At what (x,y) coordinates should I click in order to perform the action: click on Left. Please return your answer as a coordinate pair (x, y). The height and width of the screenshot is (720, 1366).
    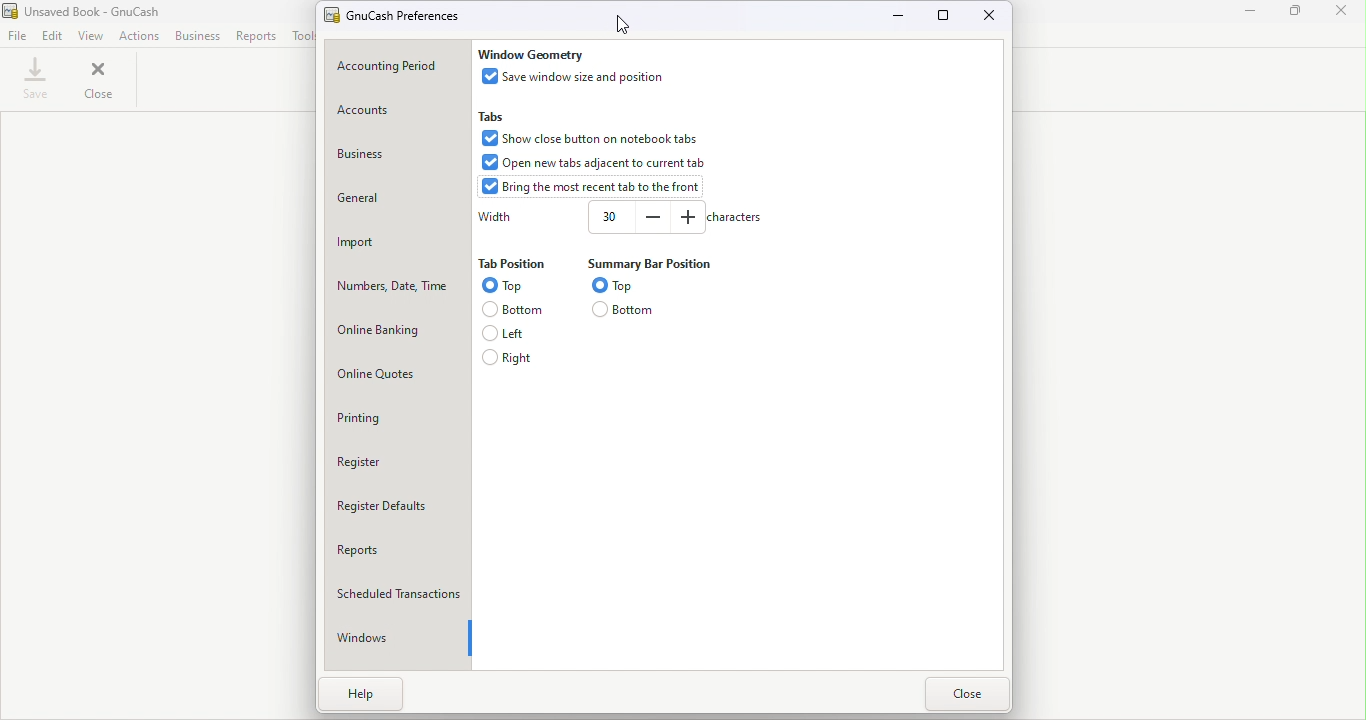
    Looking at the image, I should click on (509, 332).